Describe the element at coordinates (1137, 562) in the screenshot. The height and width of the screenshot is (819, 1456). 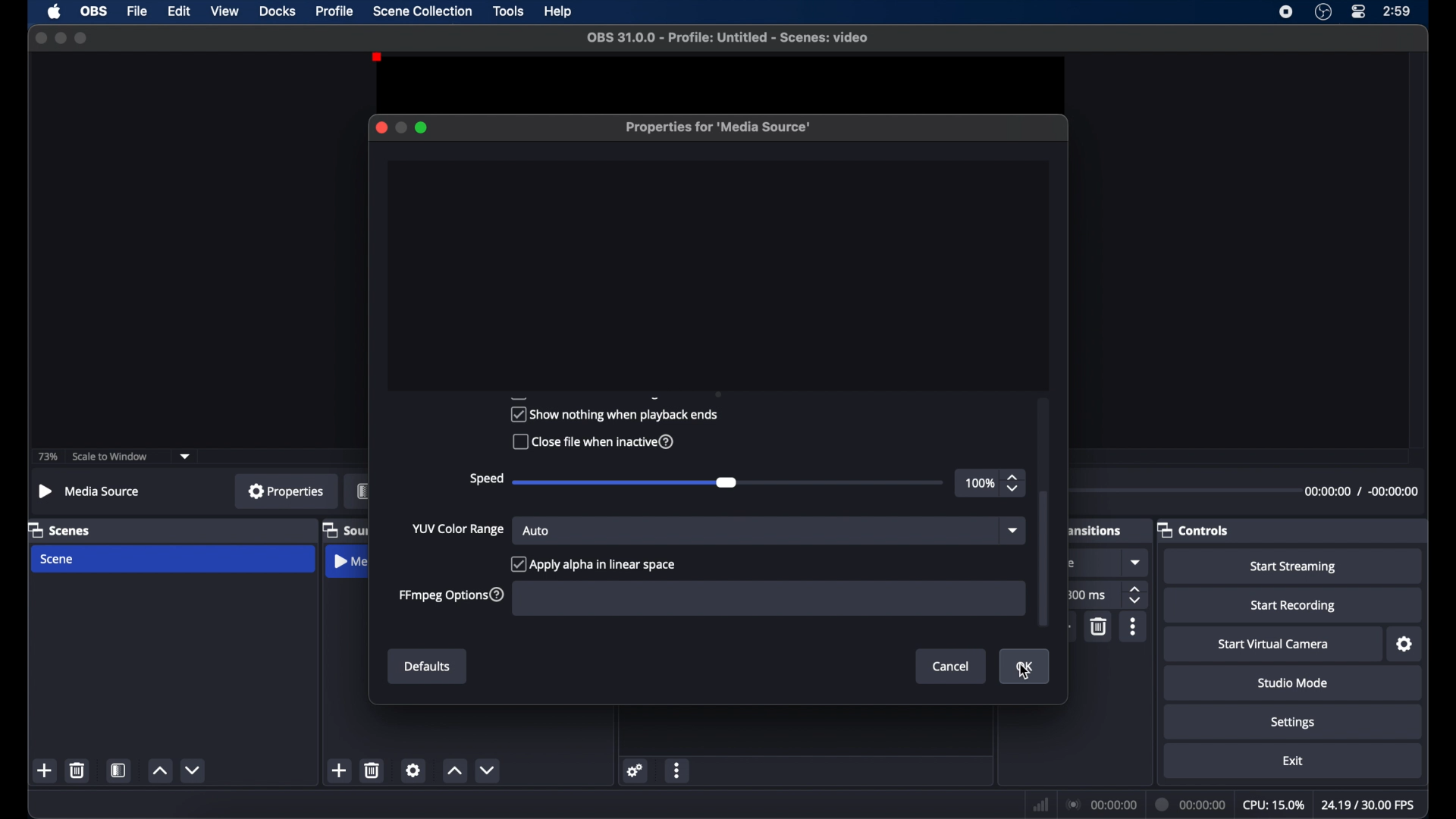
I see `dropdown` at that location.